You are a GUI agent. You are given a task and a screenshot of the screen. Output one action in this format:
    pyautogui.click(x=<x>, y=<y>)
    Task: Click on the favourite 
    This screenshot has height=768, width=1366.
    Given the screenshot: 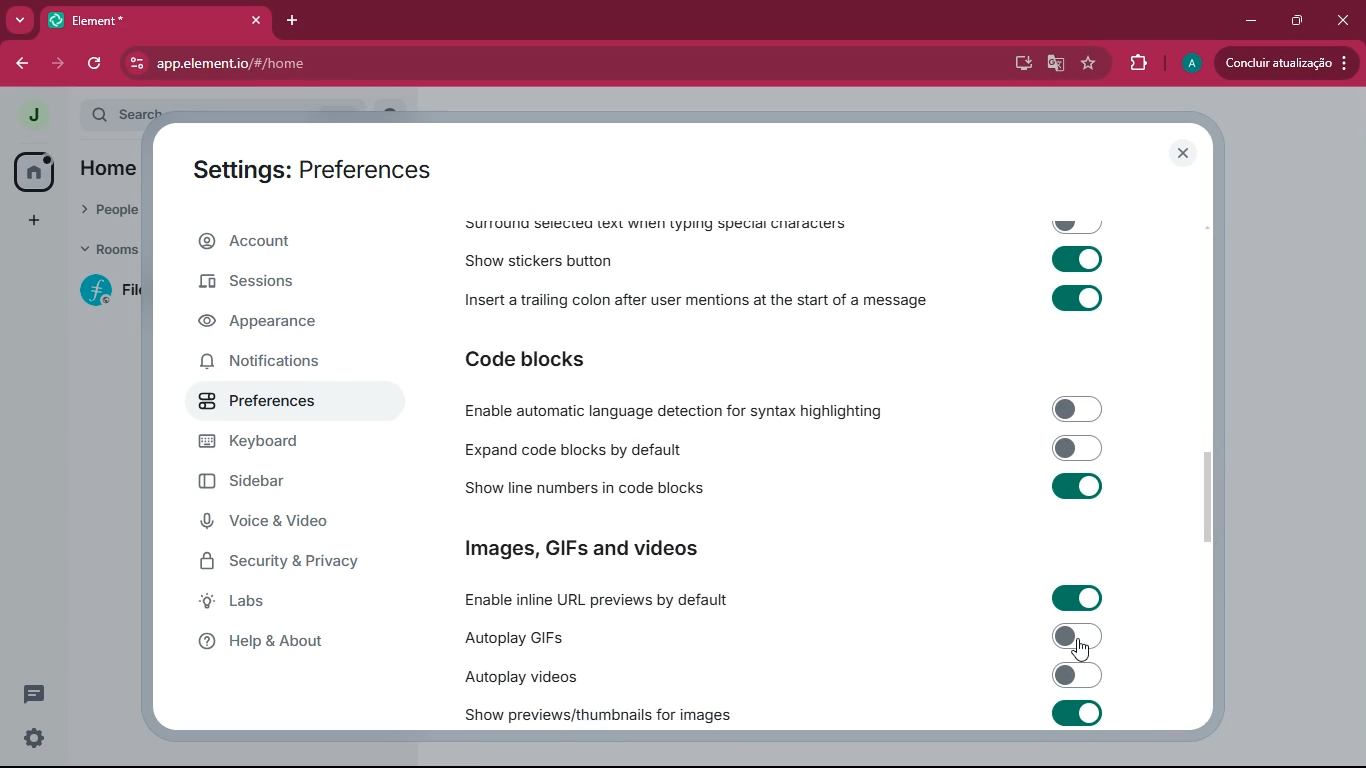 What is the action you would take?
    pyautogui.click(x=1087, y=65)
    